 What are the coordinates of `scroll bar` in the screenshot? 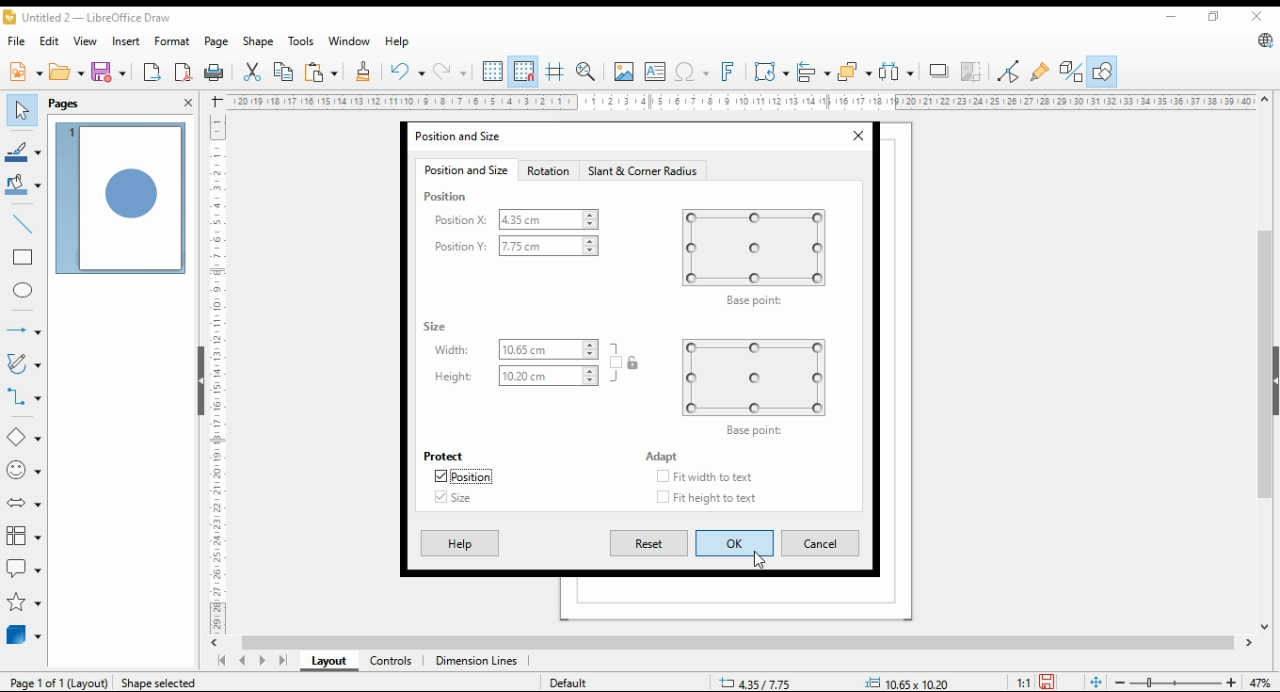 It's located at (727, 643).